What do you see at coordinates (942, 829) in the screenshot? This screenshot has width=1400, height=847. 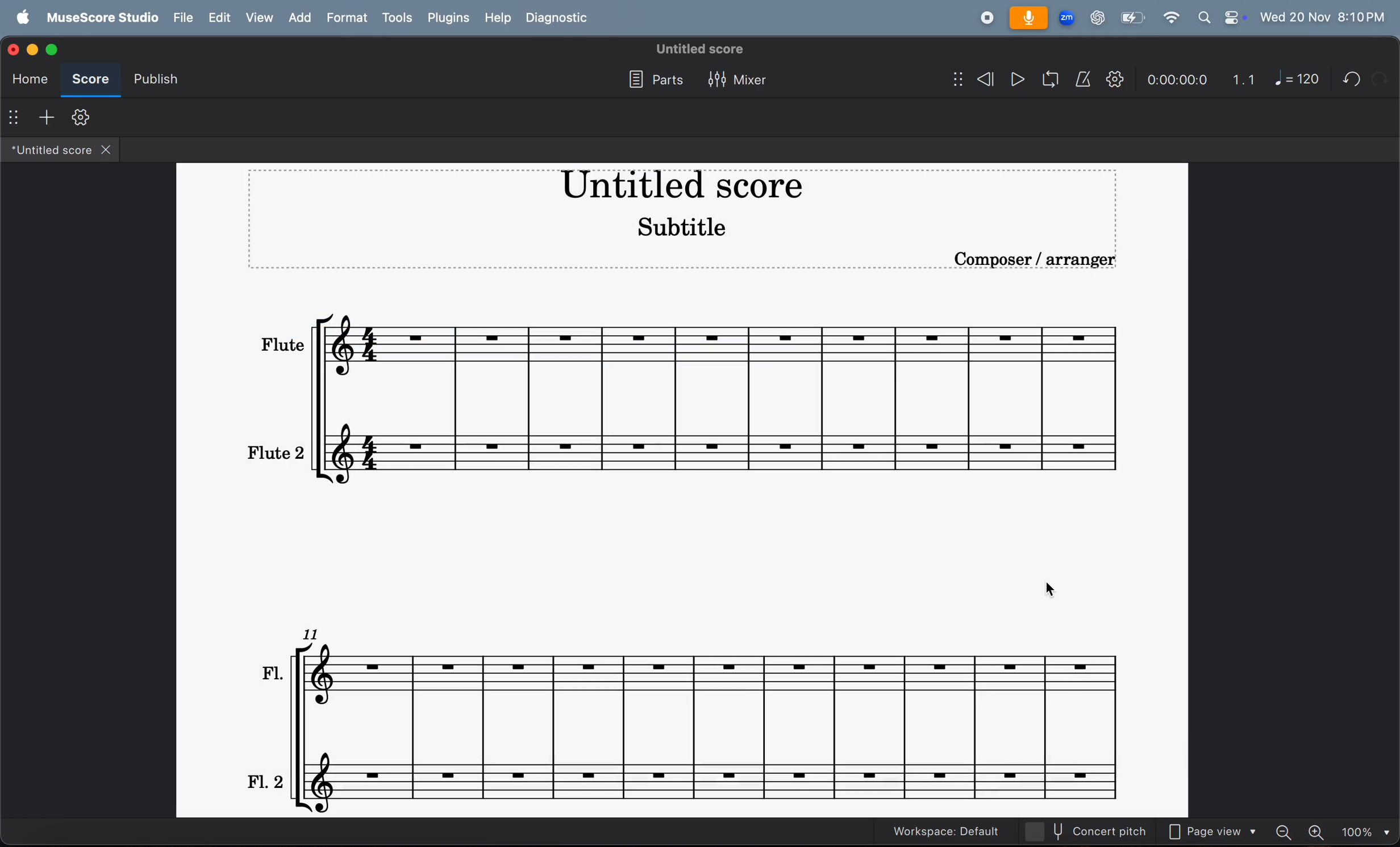 I see `workspace: default` at bounding box center [942, 829].